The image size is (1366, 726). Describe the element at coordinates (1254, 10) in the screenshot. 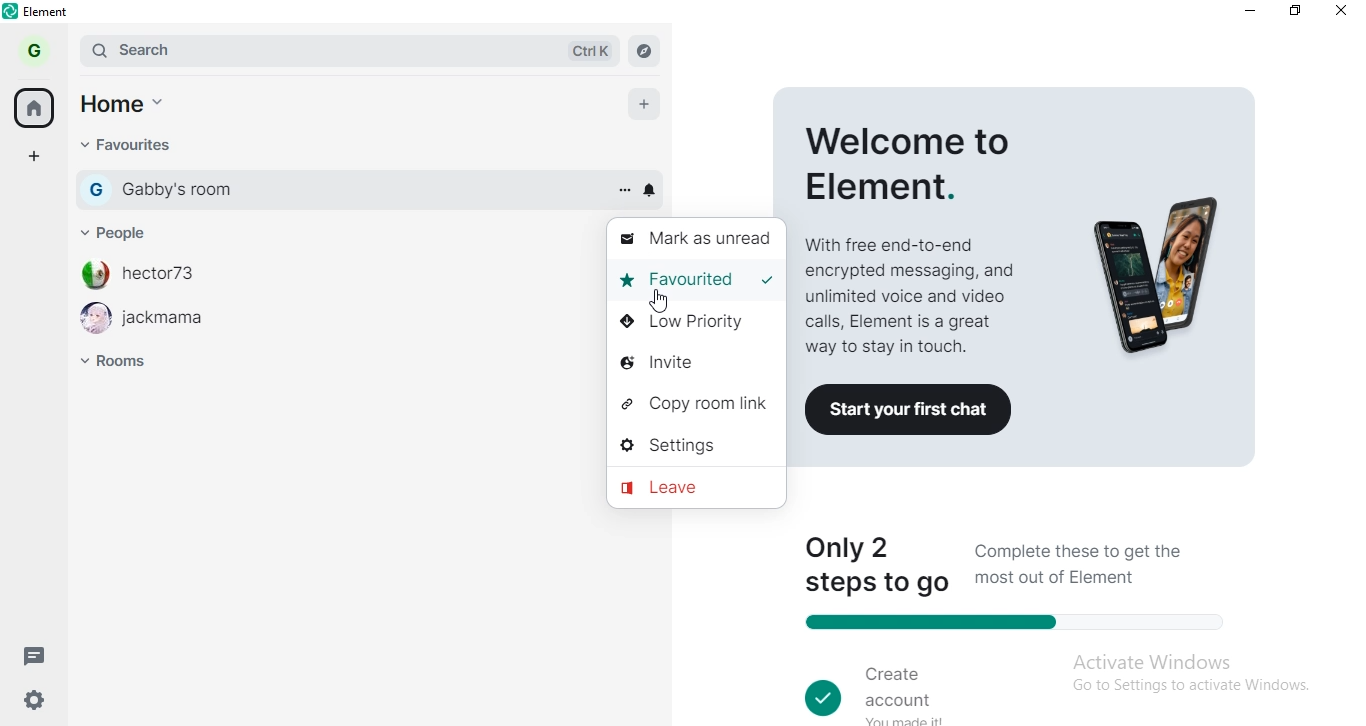

I see `minimise` at that location.